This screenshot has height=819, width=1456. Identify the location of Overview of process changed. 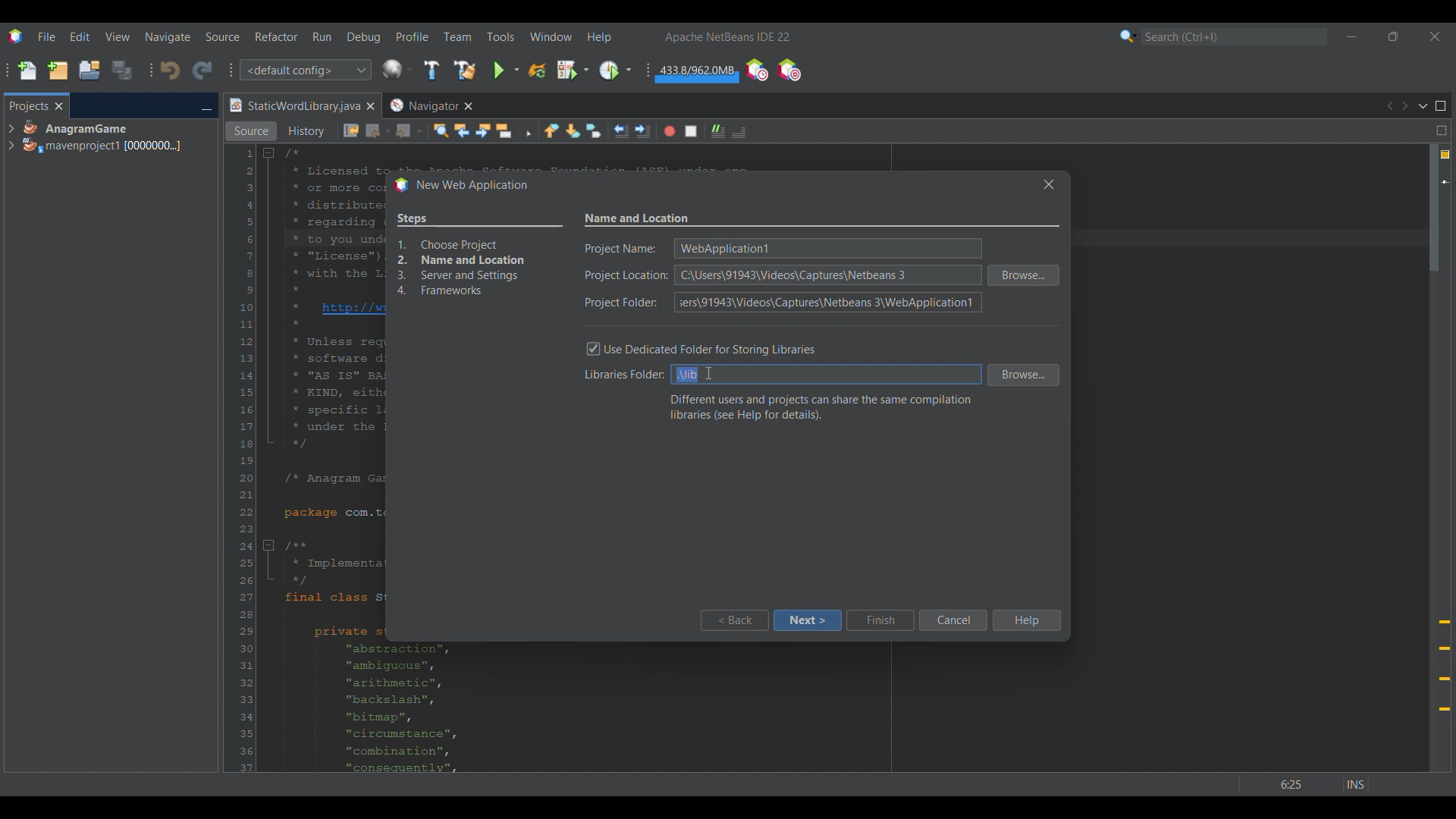
(479, 256).